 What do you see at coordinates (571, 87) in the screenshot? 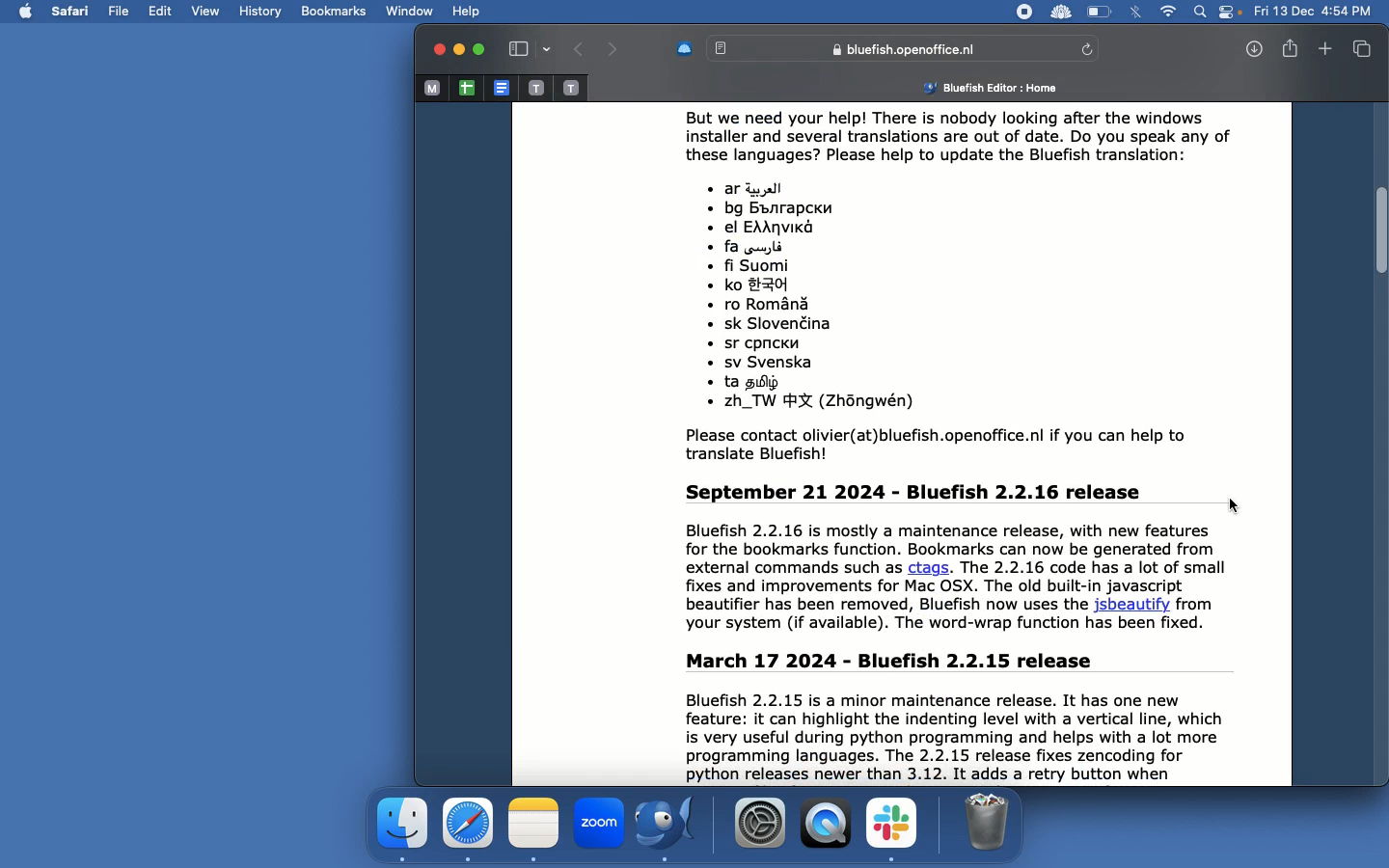
I see `Pinned tab` at bounding box center [571, 87].